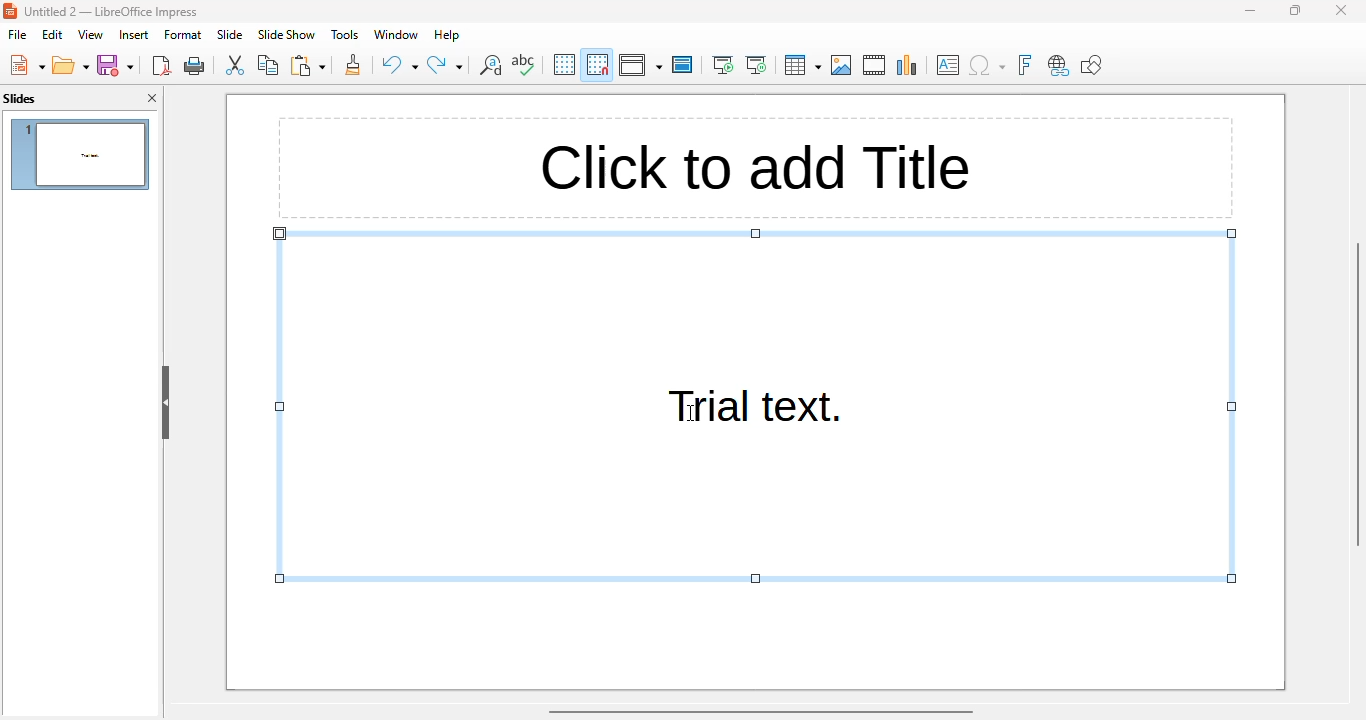 This screenshot has height=720, width=1366. Describe the element at coordinates (231, 34) in the screenshot. I see `slide` at that location.